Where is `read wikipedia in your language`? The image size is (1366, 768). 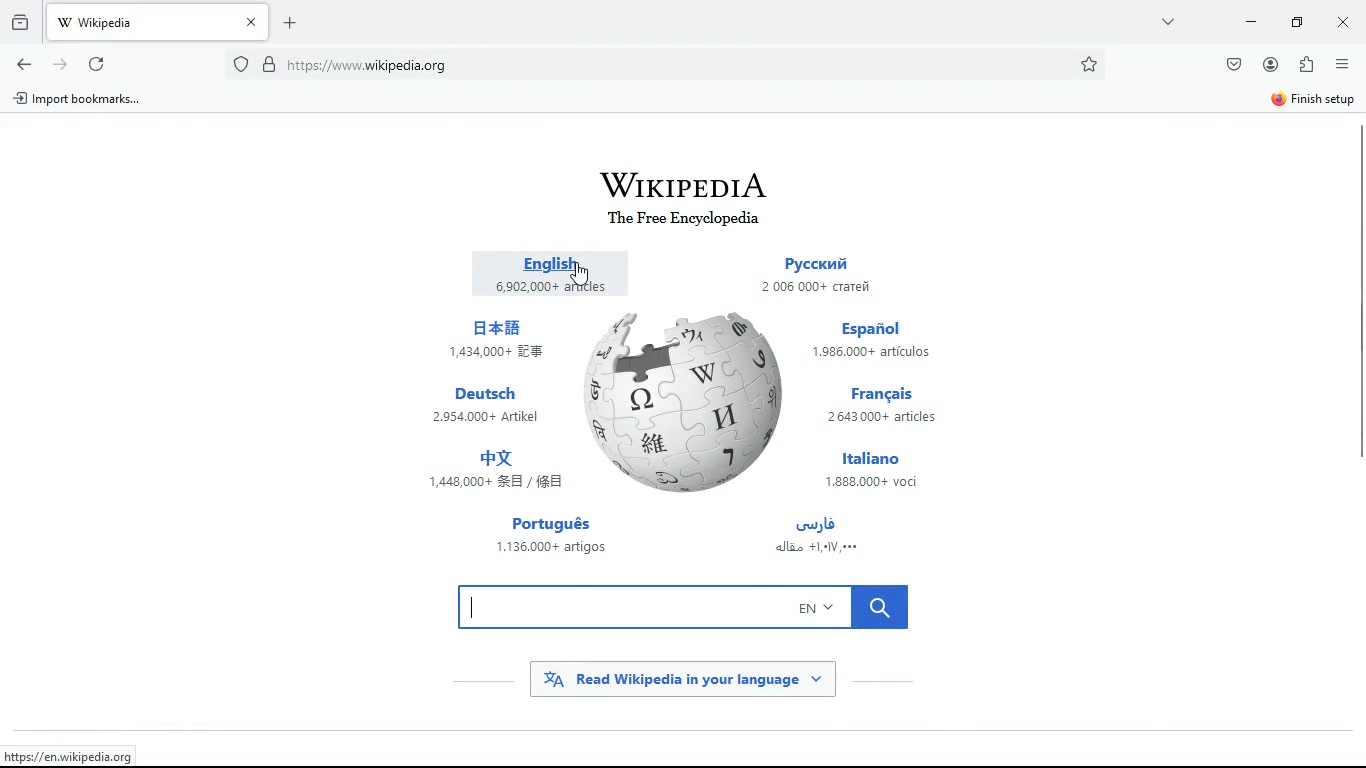
read wikipedia in your language is located at coordinates (698, 679).